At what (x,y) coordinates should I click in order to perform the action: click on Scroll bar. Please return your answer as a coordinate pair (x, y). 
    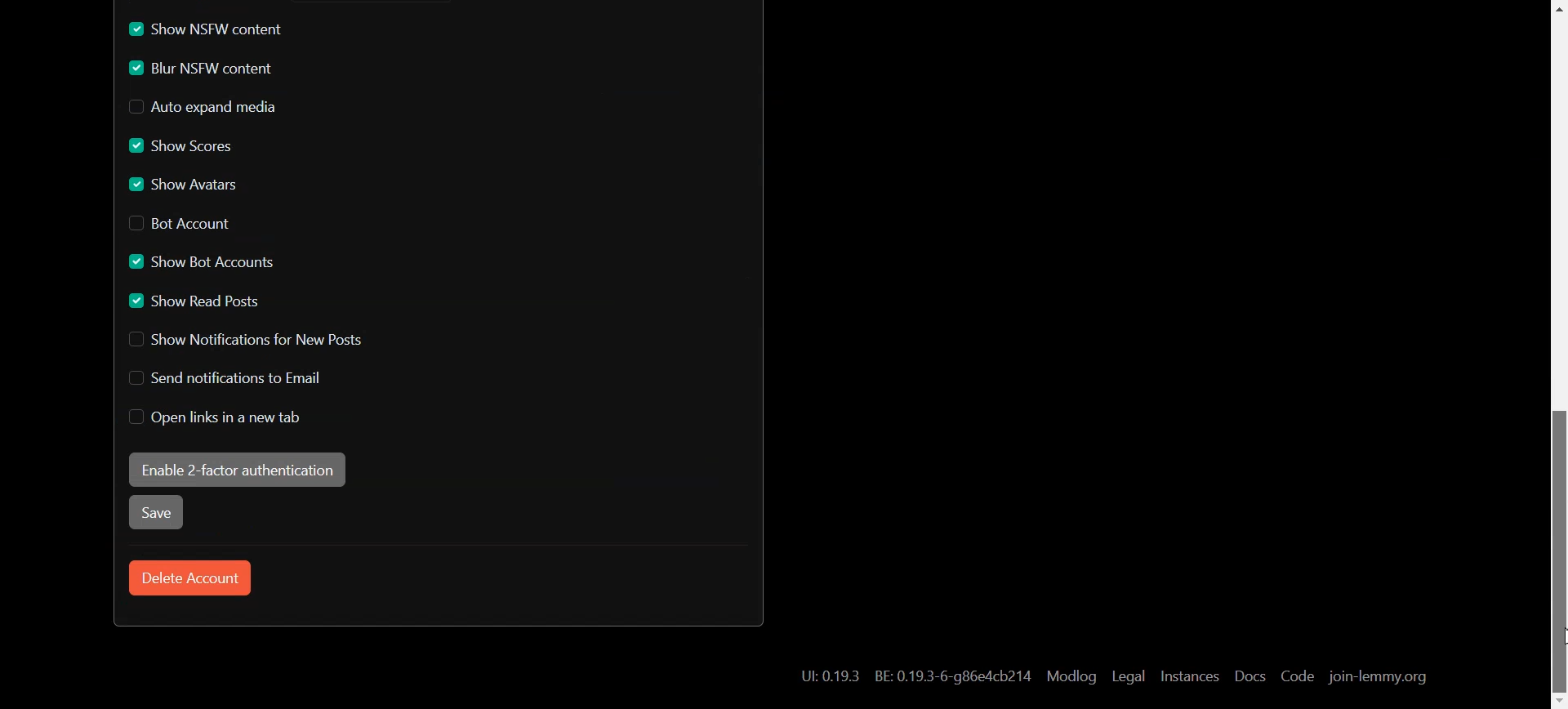
    Looking at the image, I should click on (1554, 354).